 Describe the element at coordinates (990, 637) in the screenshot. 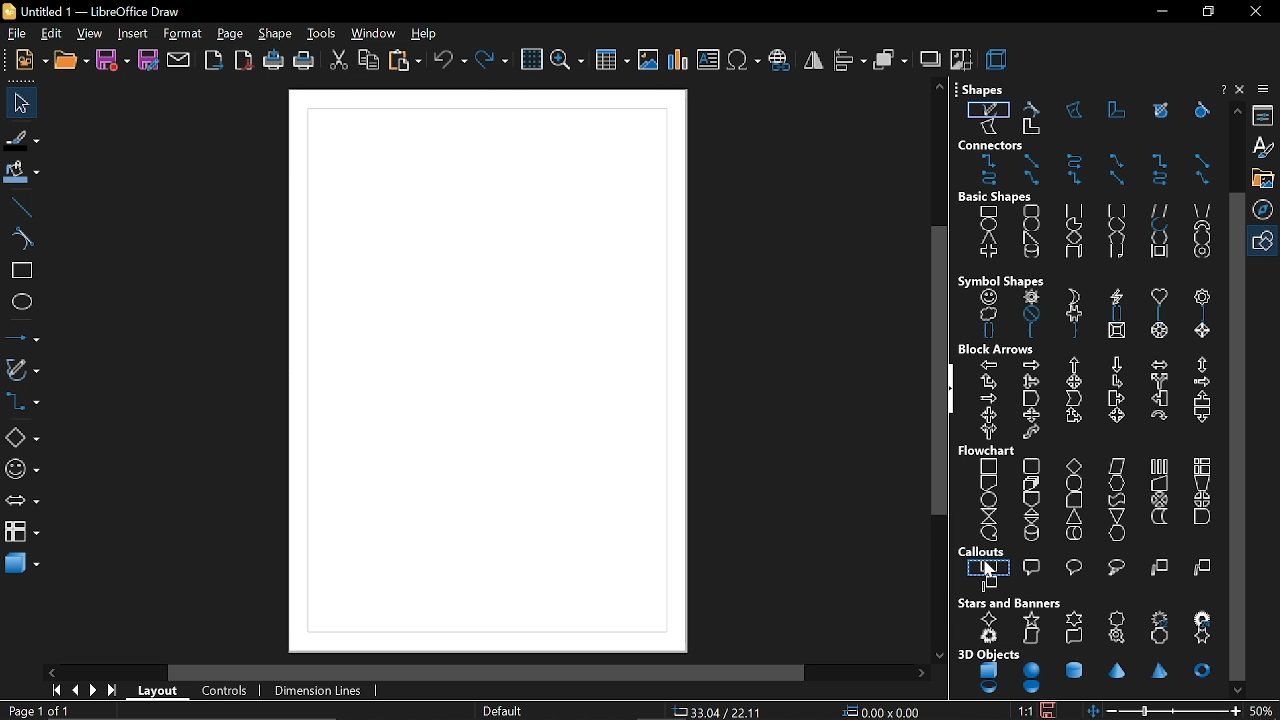

I see `explosion` at that location.